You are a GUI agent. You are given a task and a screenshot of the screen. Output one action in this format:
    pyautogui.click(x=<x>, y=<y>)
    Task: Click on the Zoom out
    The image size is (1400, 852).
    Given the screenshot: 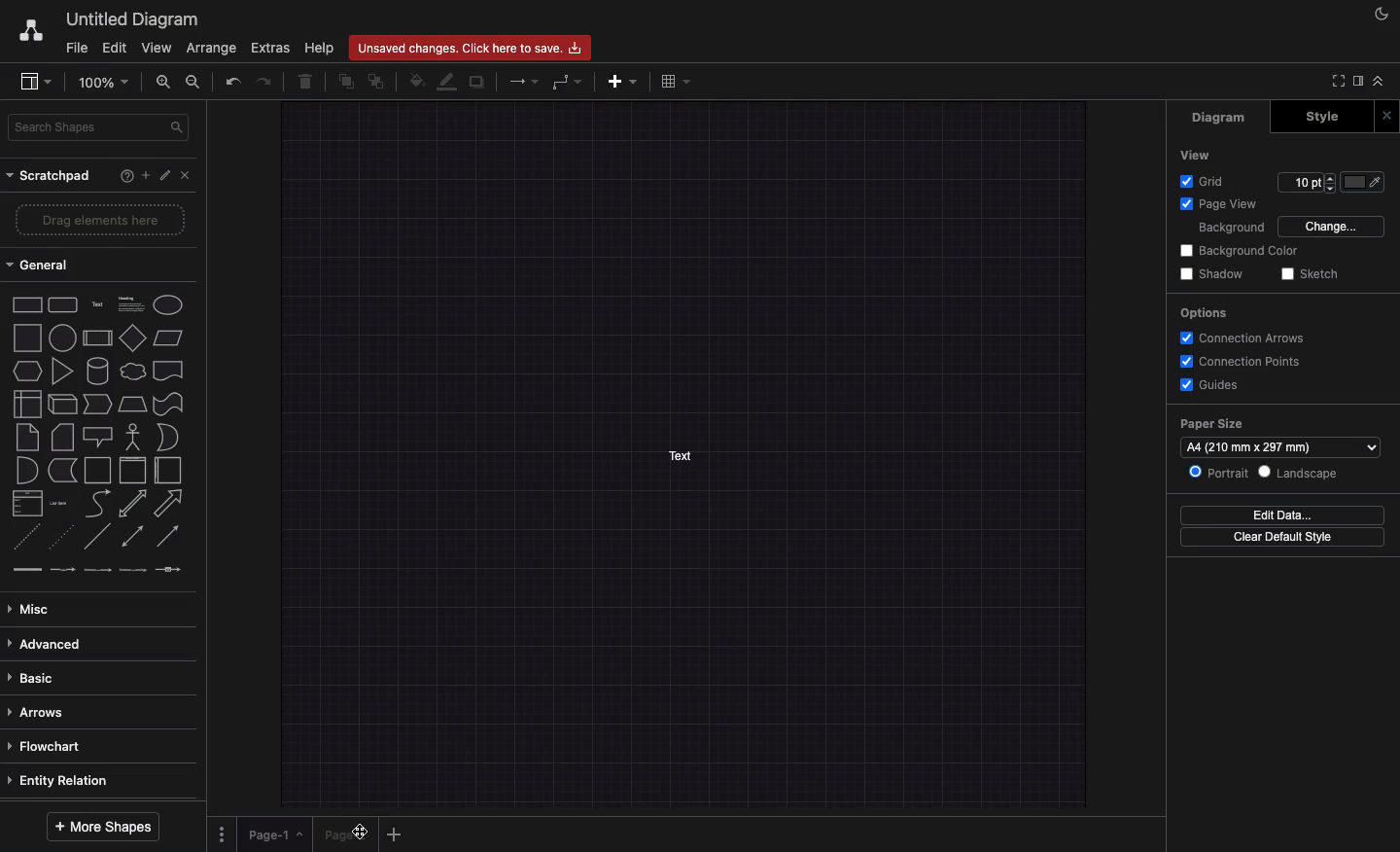 What is the action you would take?
    pyautogui.click(x=193, y=81)
    